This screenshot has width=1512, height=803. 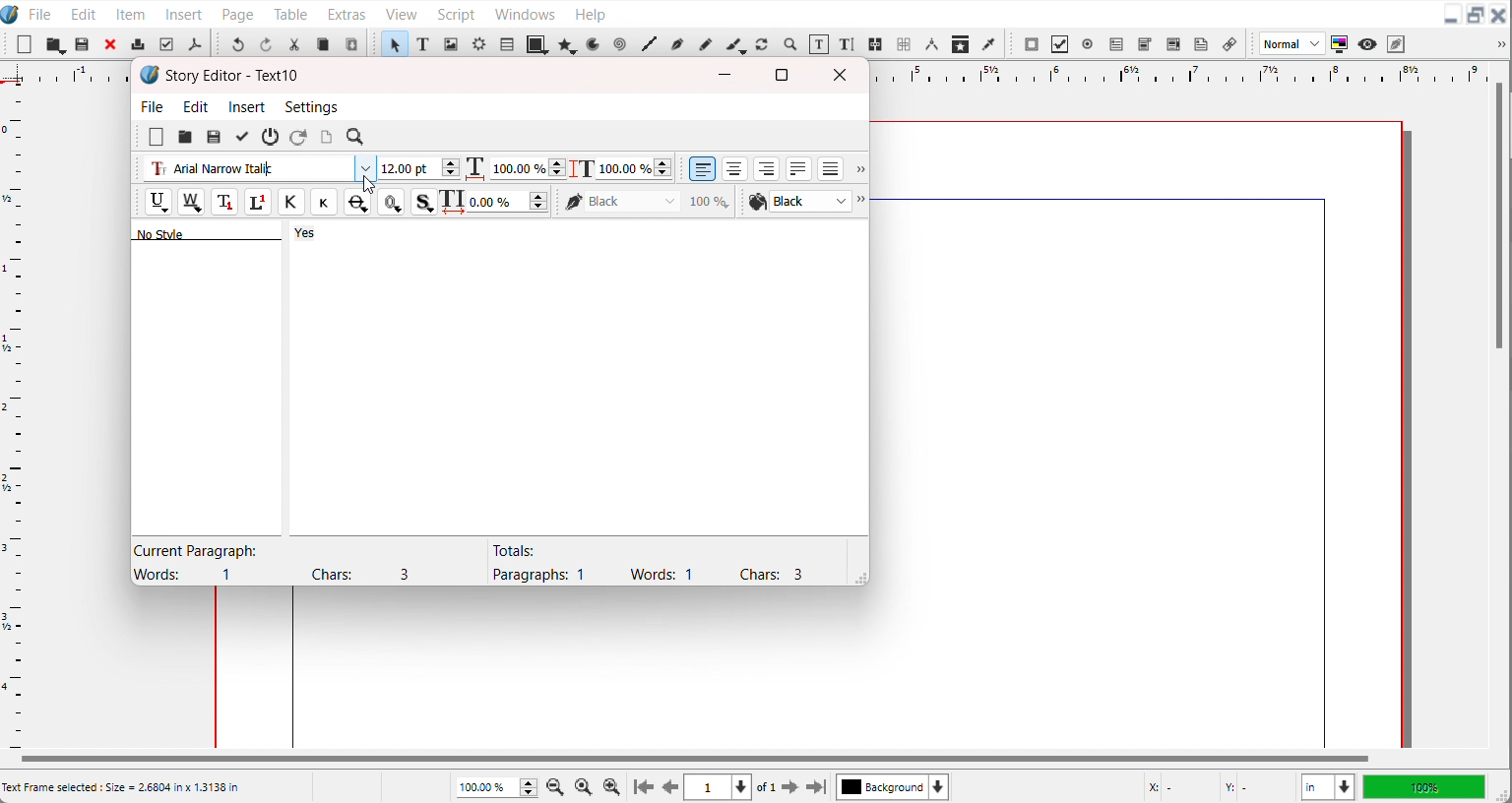 I want to click on Link text frame, so click(x=876, y=45).